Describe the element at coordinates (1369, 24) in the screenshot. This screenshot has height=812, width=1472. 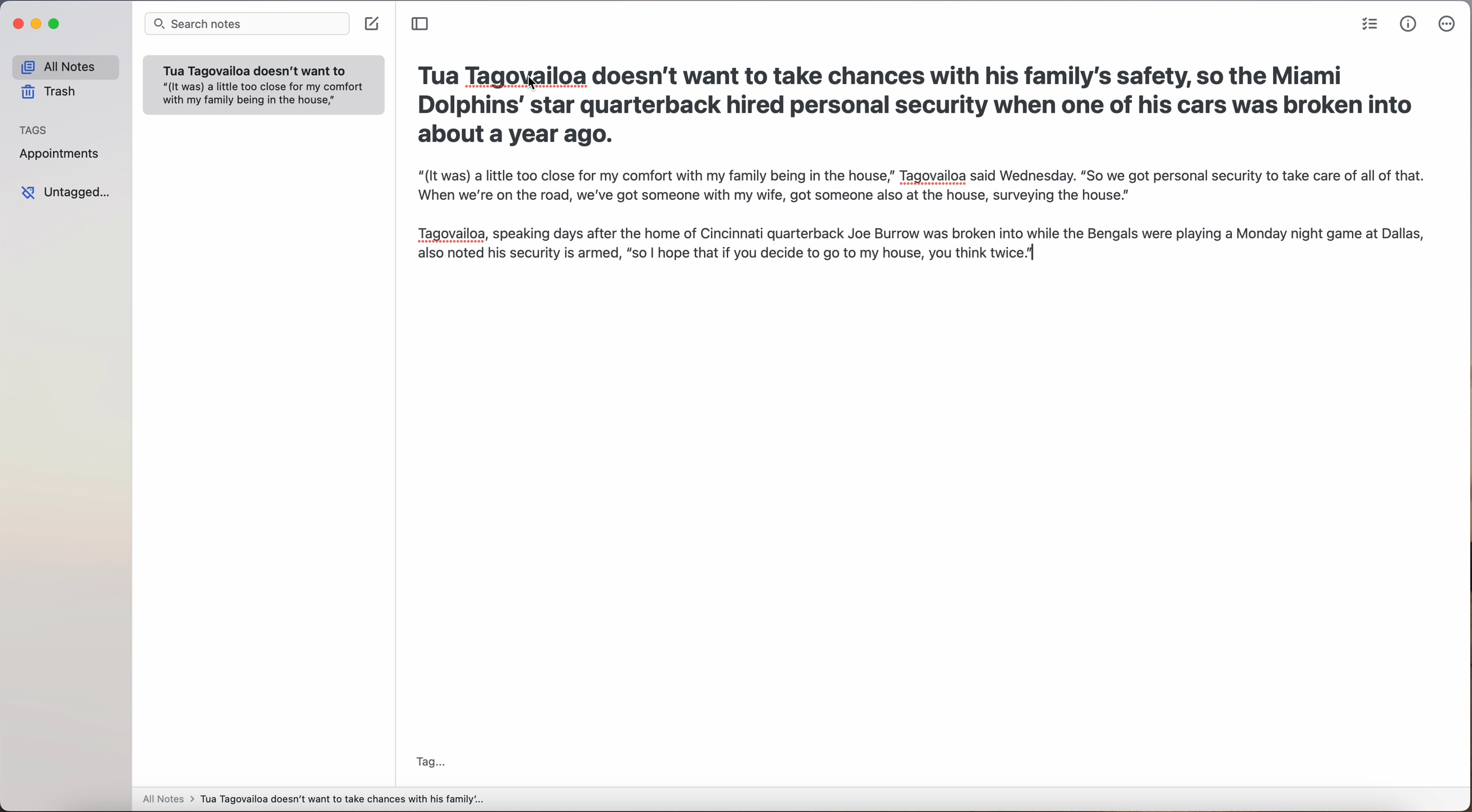
I see `check list` at that location.